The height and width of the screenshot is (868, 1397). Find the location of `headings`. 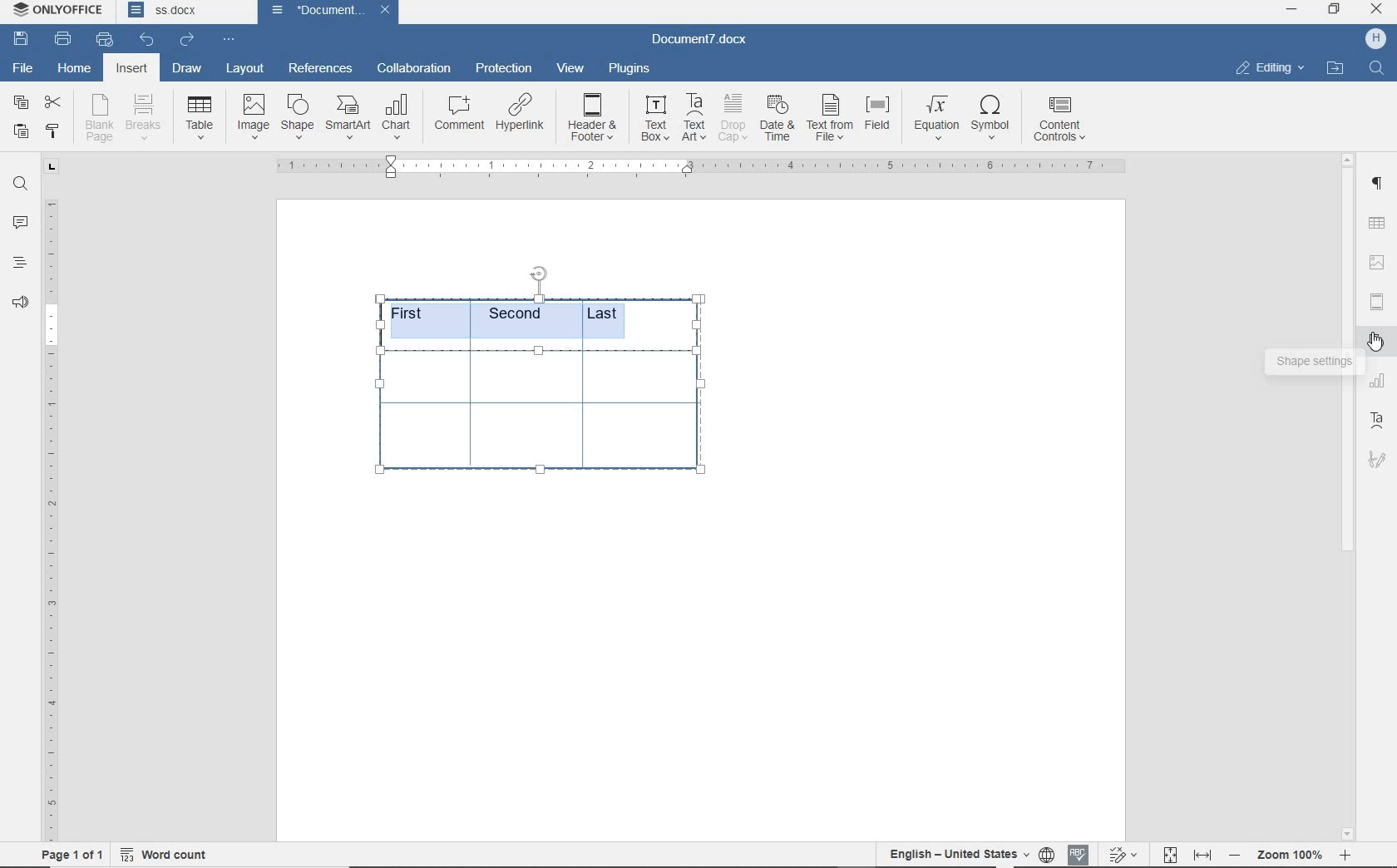

headings is located at coordinates (19, 264).